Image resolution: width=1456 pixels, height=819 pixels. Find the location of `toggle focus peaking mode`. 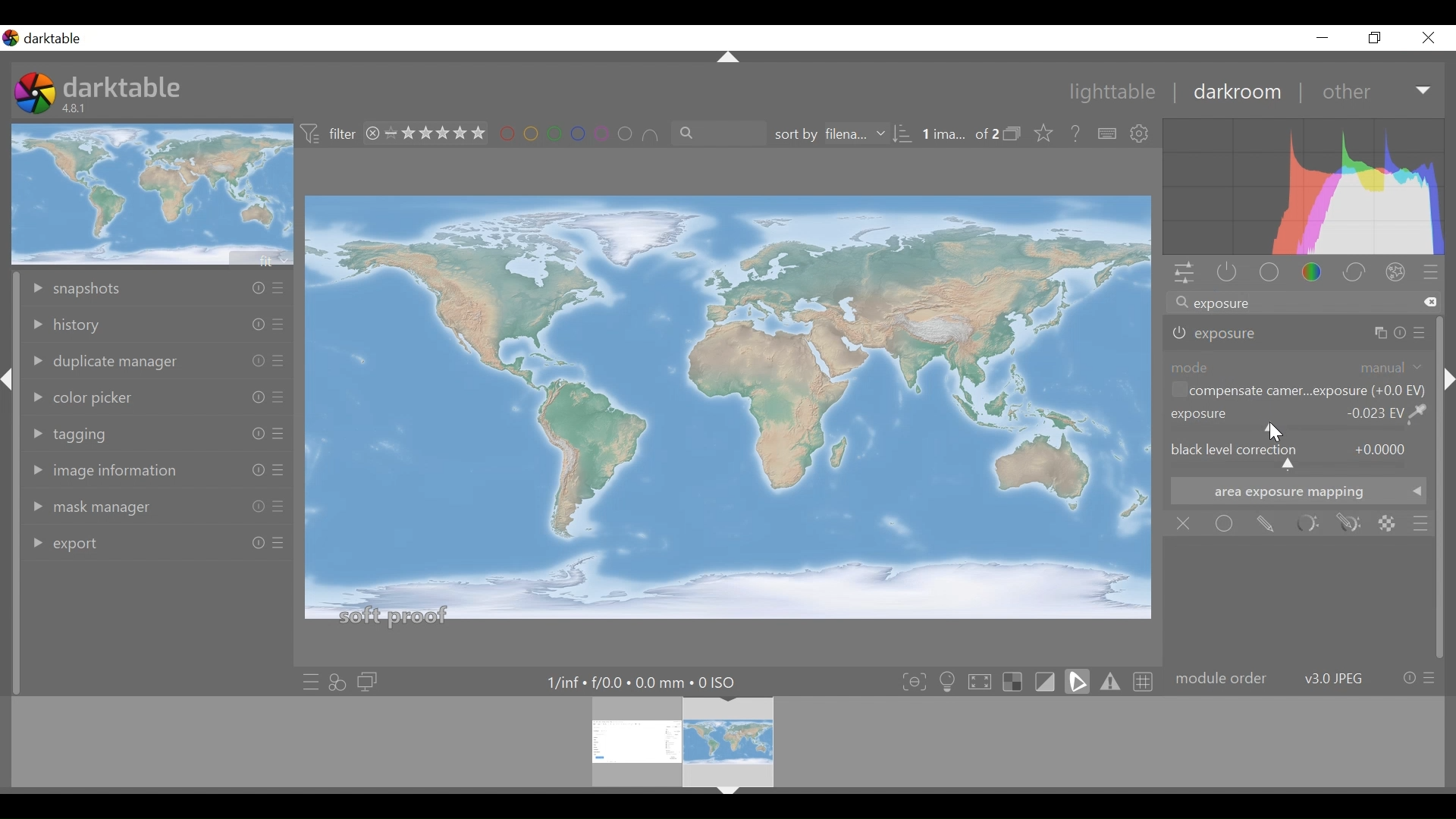

toggle focus peaking mode is located at coordinates (916, 681).